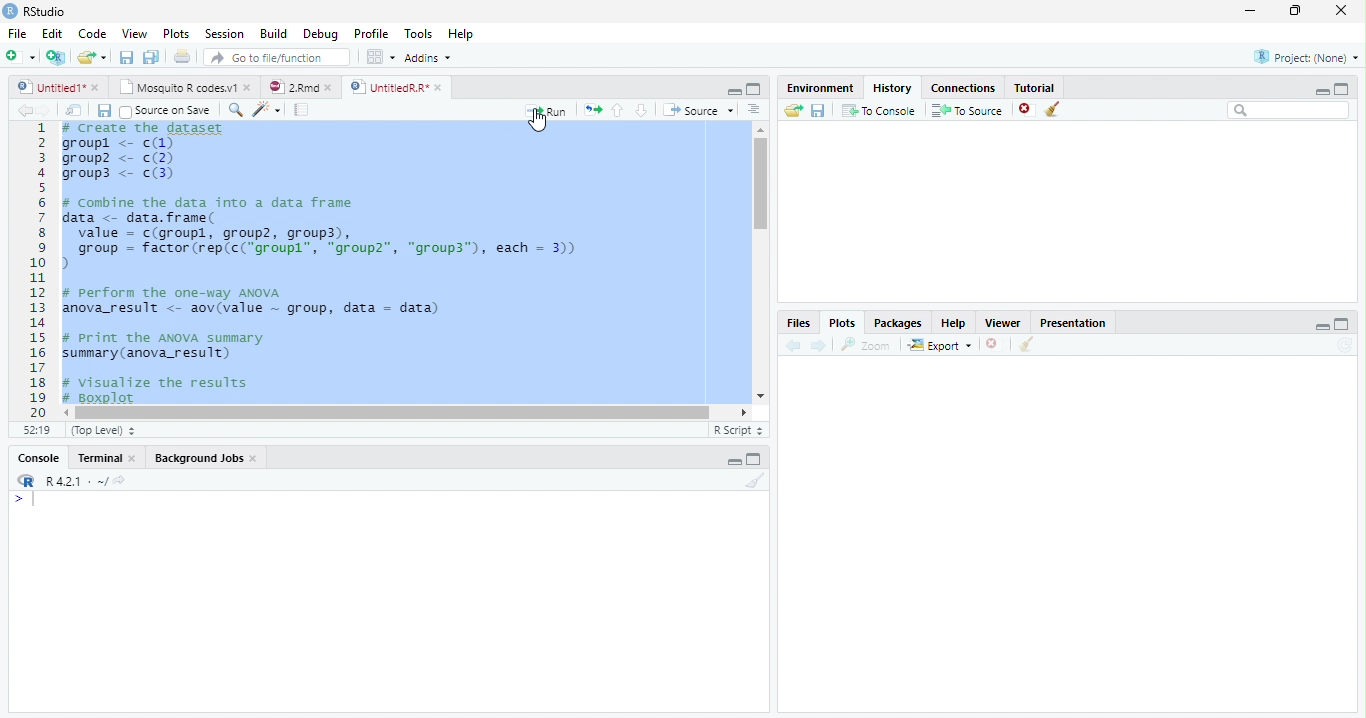 The height and width of the screenshot is (718, 1366). I want to click on Source on save, so click(169, 111).